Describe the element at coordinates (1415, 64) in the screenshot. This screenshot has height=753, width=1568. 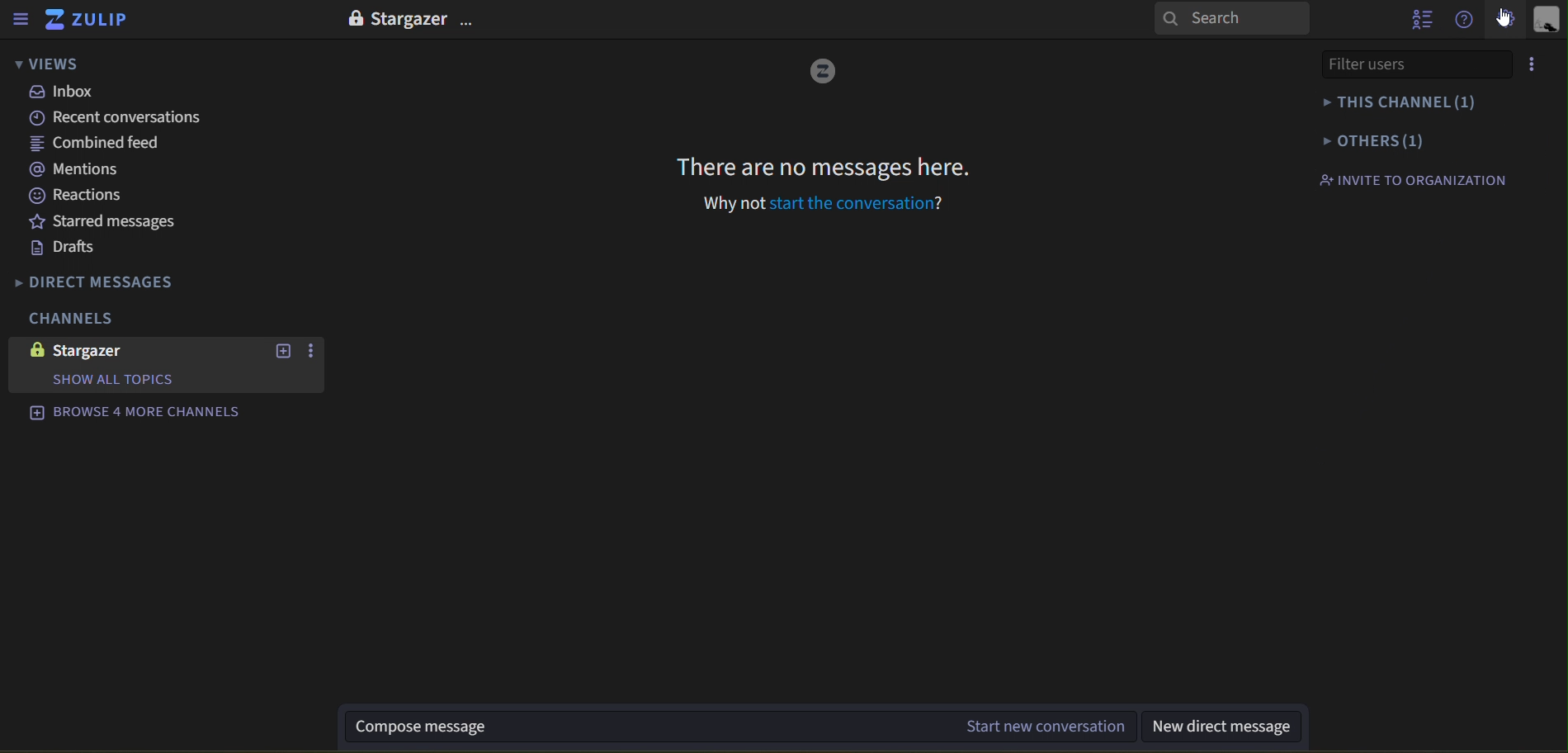
I see `filter users` at that location.